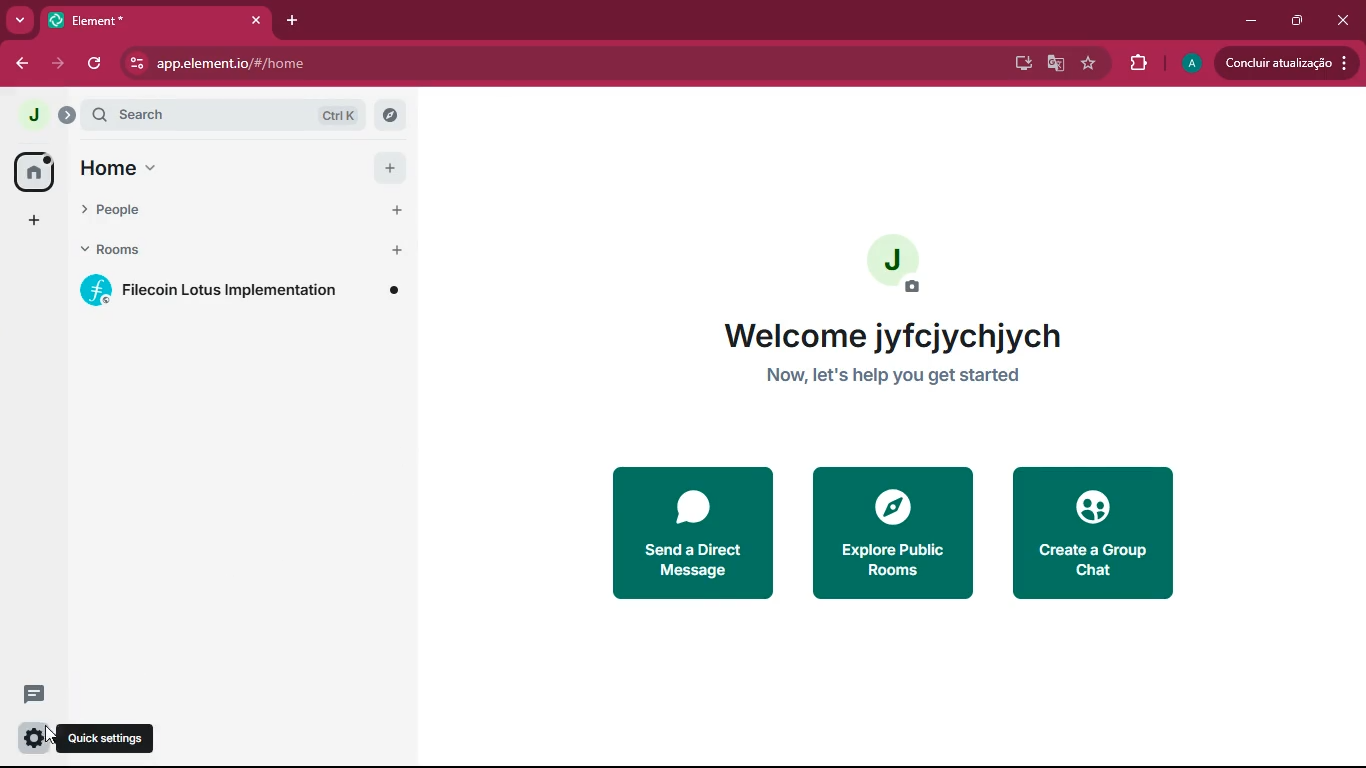 Image resolution: width=1366 pixels, height=768 pixels. I want to click on close tab, so click(256, 20).